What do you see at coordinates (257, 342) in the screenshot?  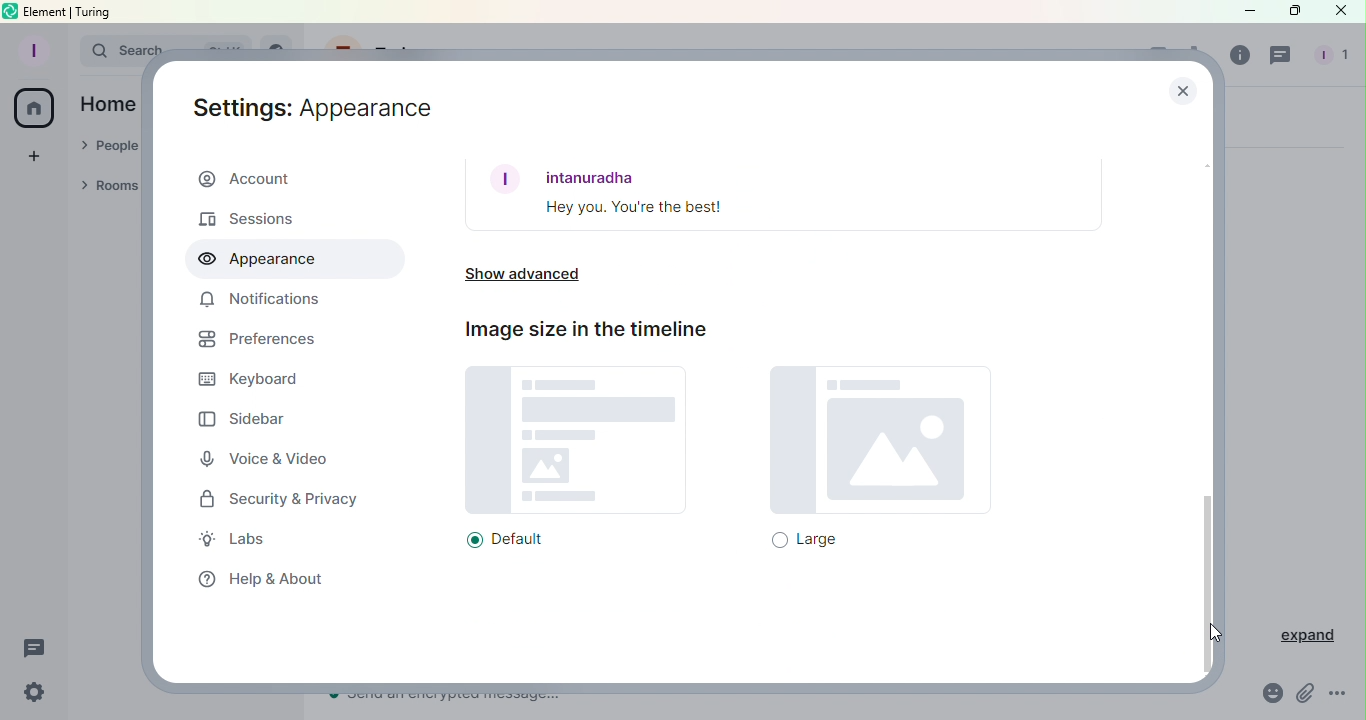 I see `Preferences` at bounding box center [257, 342].